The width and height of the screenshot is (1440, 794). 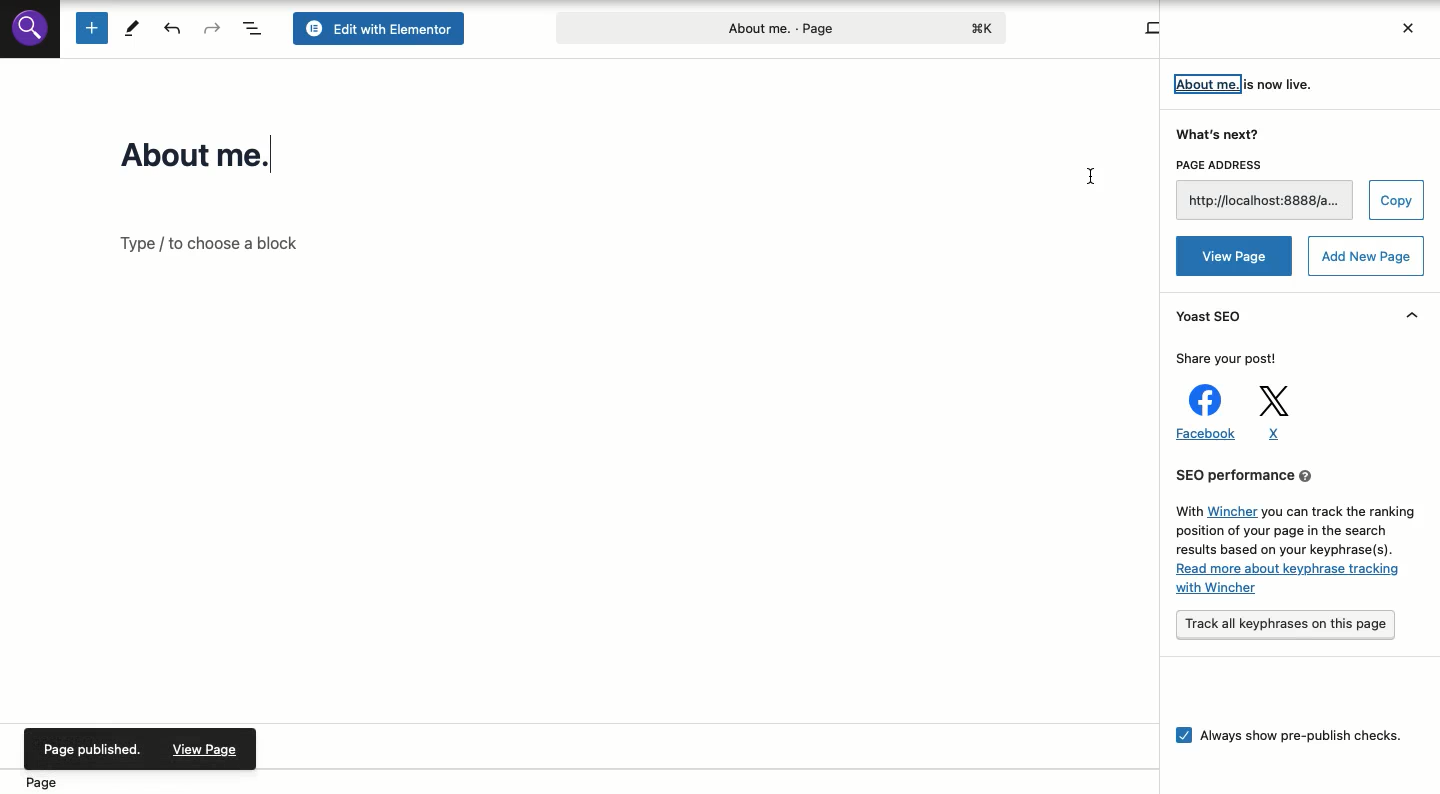 What do you see at coordinates (1289, 578) in the screenshot?
I see `Read more about keyphrase tracking
‘with Wincher` at bounding box center [1289, 578].